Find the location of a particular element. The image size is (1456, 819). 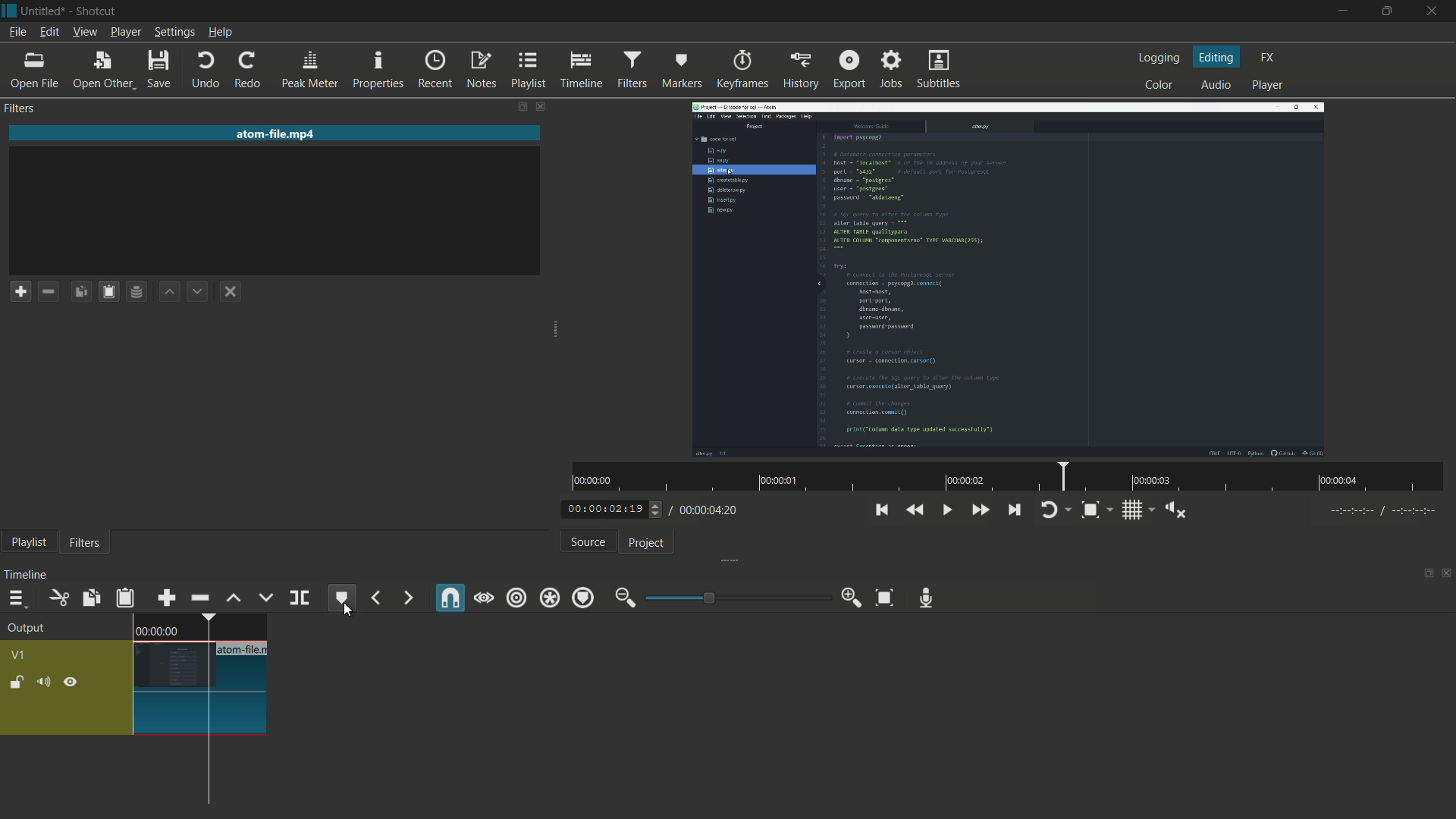

mute is located at coordinates (42, 682).